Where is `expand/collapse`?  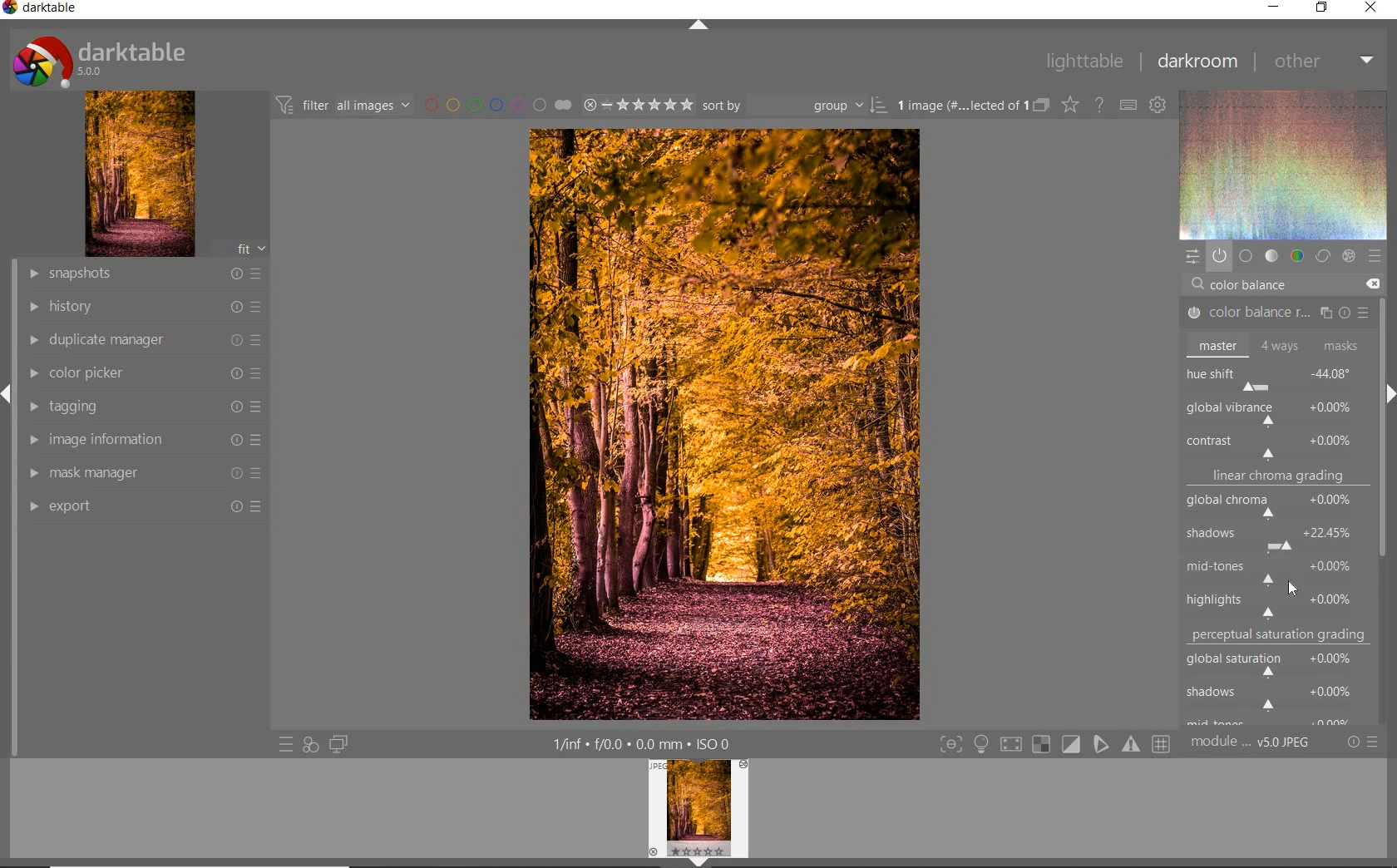
expand/collapse is located at coordinates (696, 25).